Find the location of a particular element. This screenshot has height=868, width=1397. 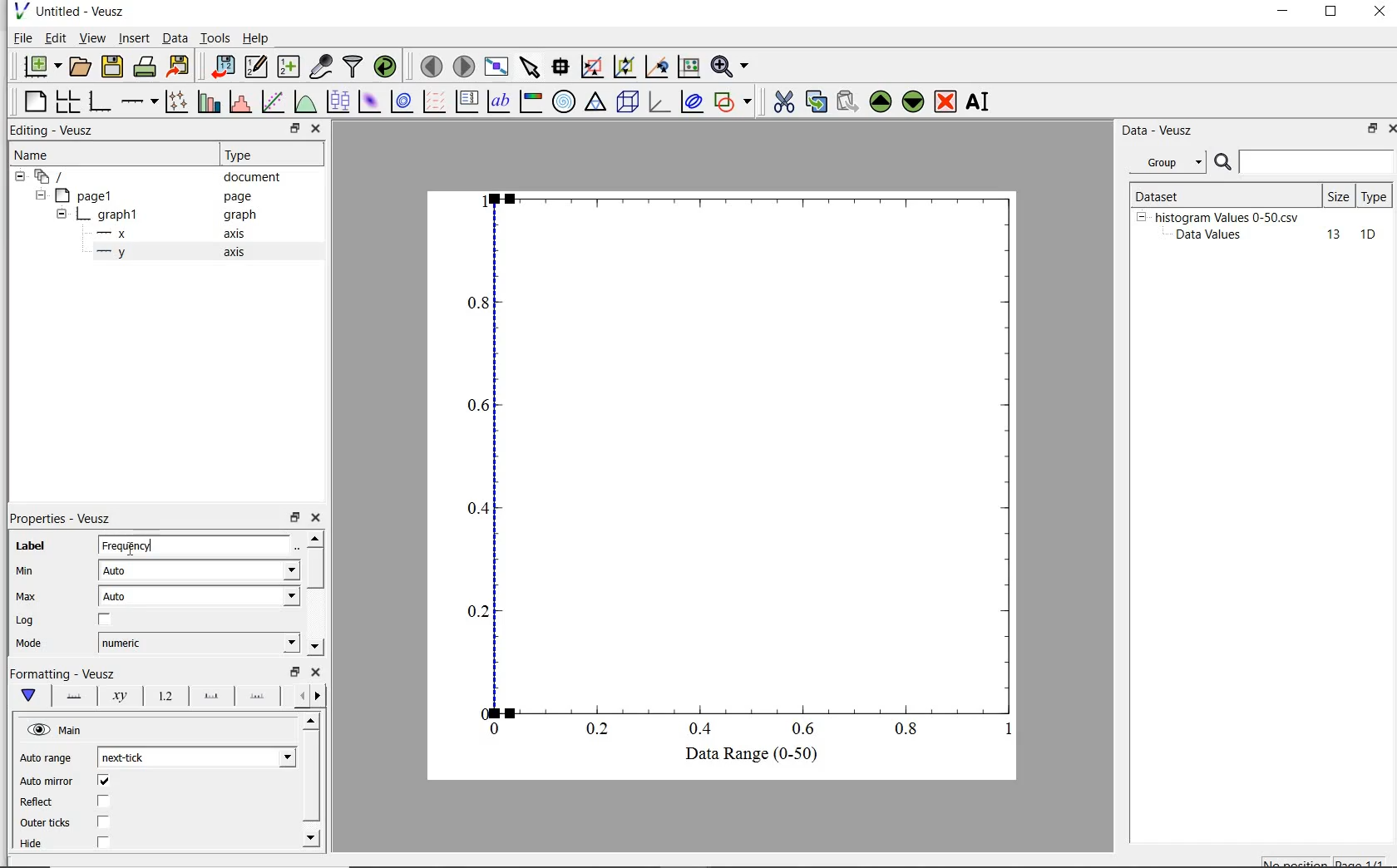

 is located at coordinates (241, 215).